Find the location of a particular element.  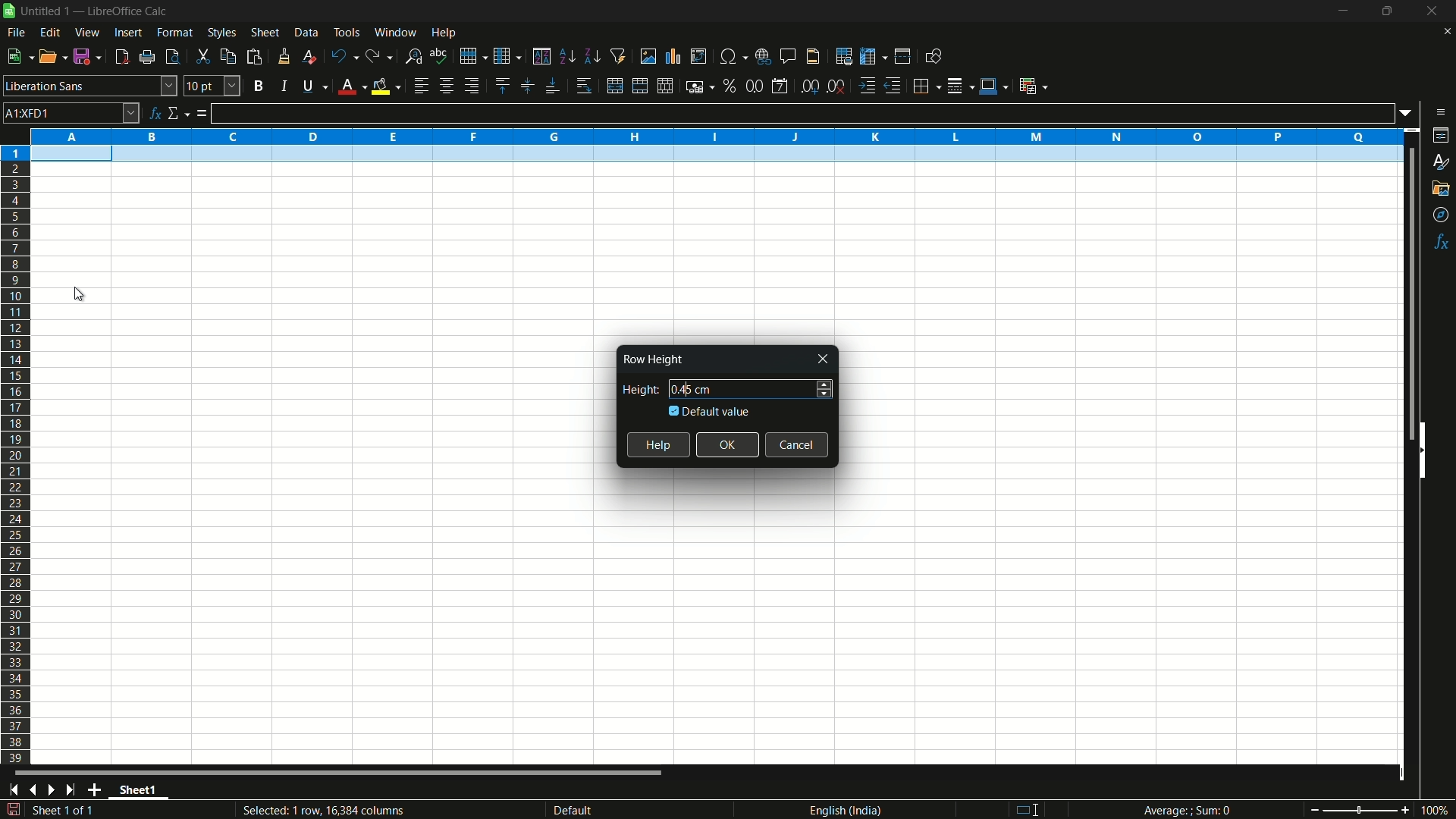

italic is located at coordinates (283, 86).